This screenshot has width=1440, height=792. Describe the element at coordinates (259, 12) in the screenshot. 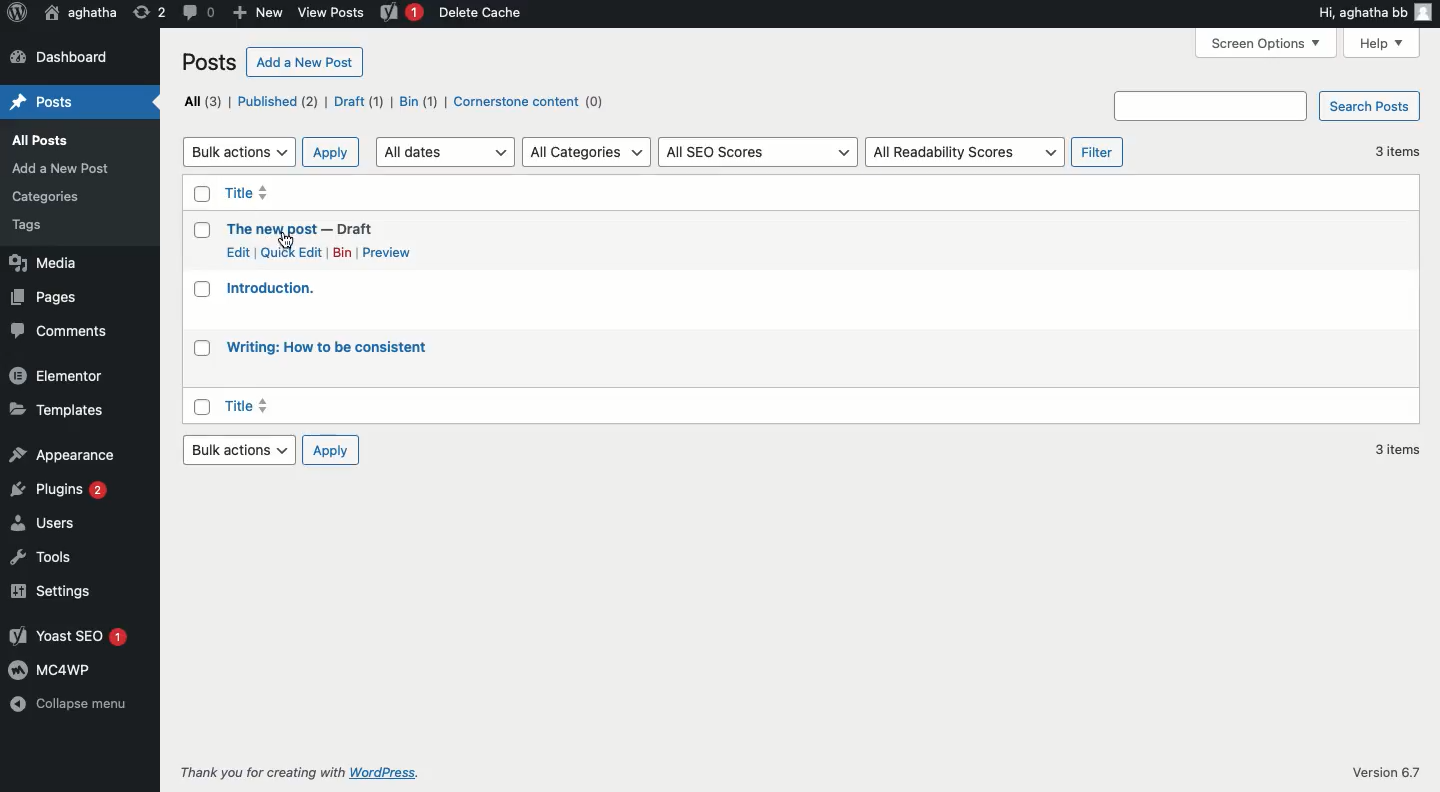

I see `+ New` at that location.